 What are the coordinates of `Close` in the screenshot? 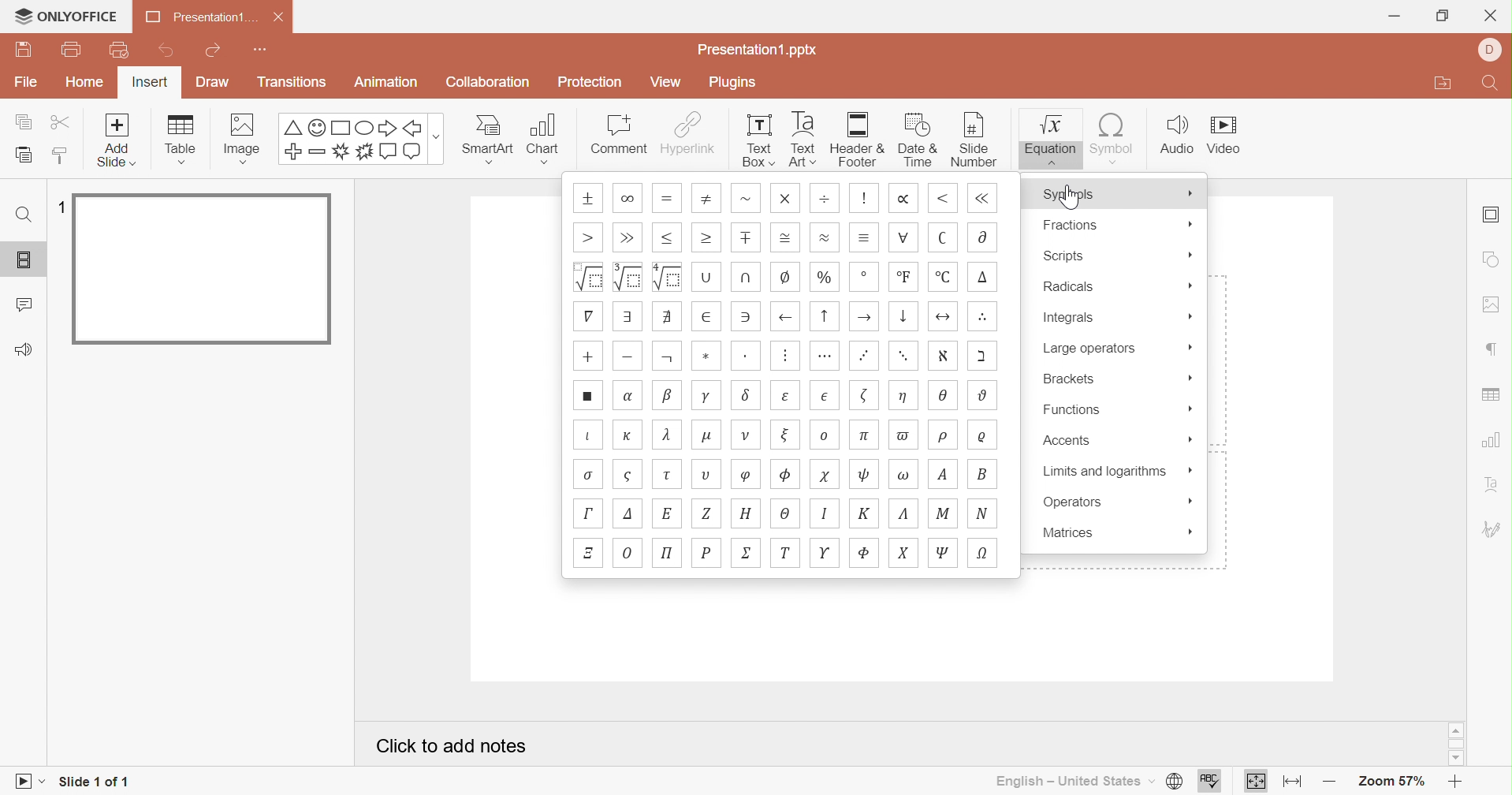 It's located at (1490, 15).